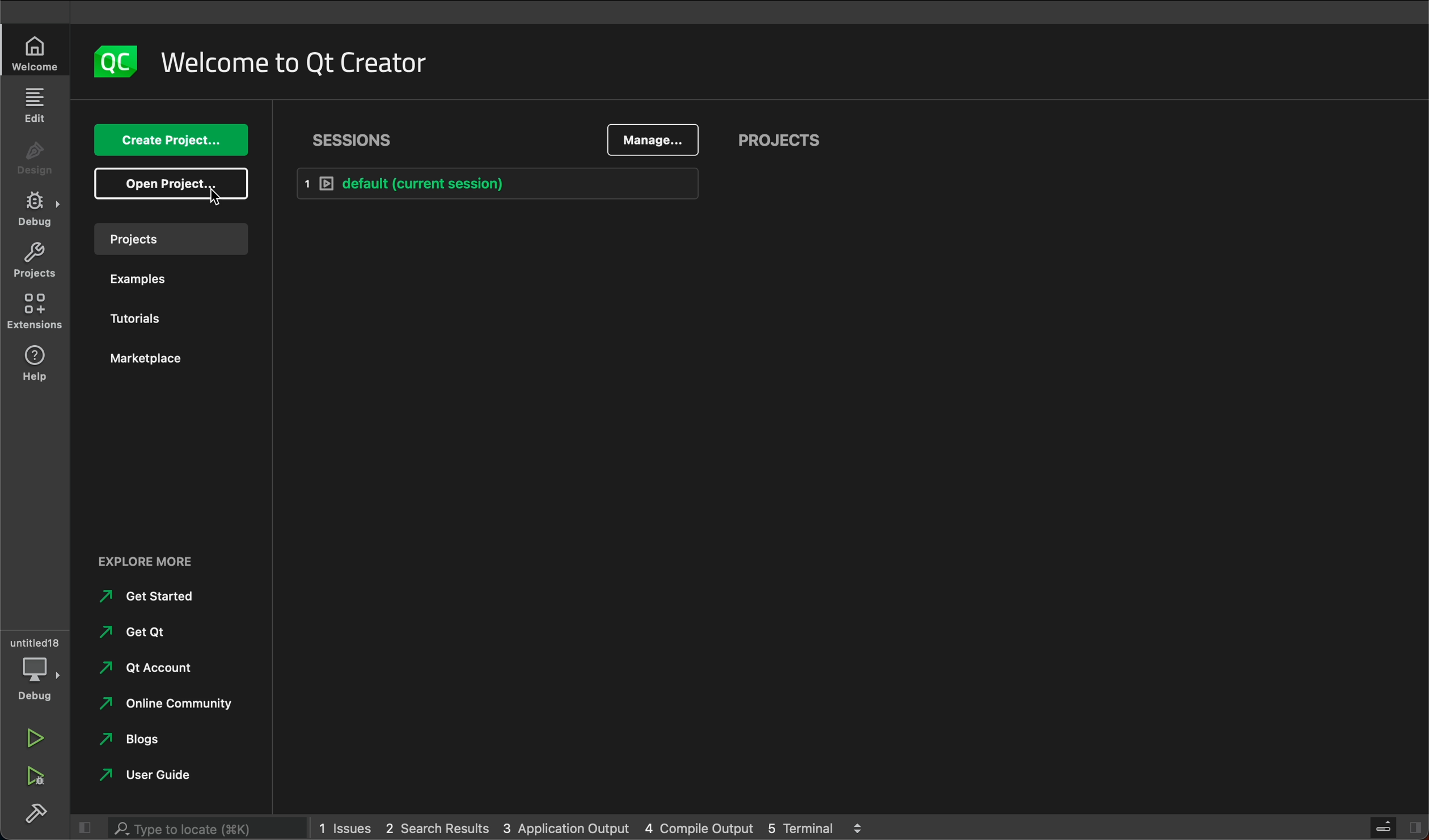 The width and height of the screenshot is (1429, 840). Describe the element at coordinates (543, 185) in the screenshot. I see `default [current selection]` at that location.